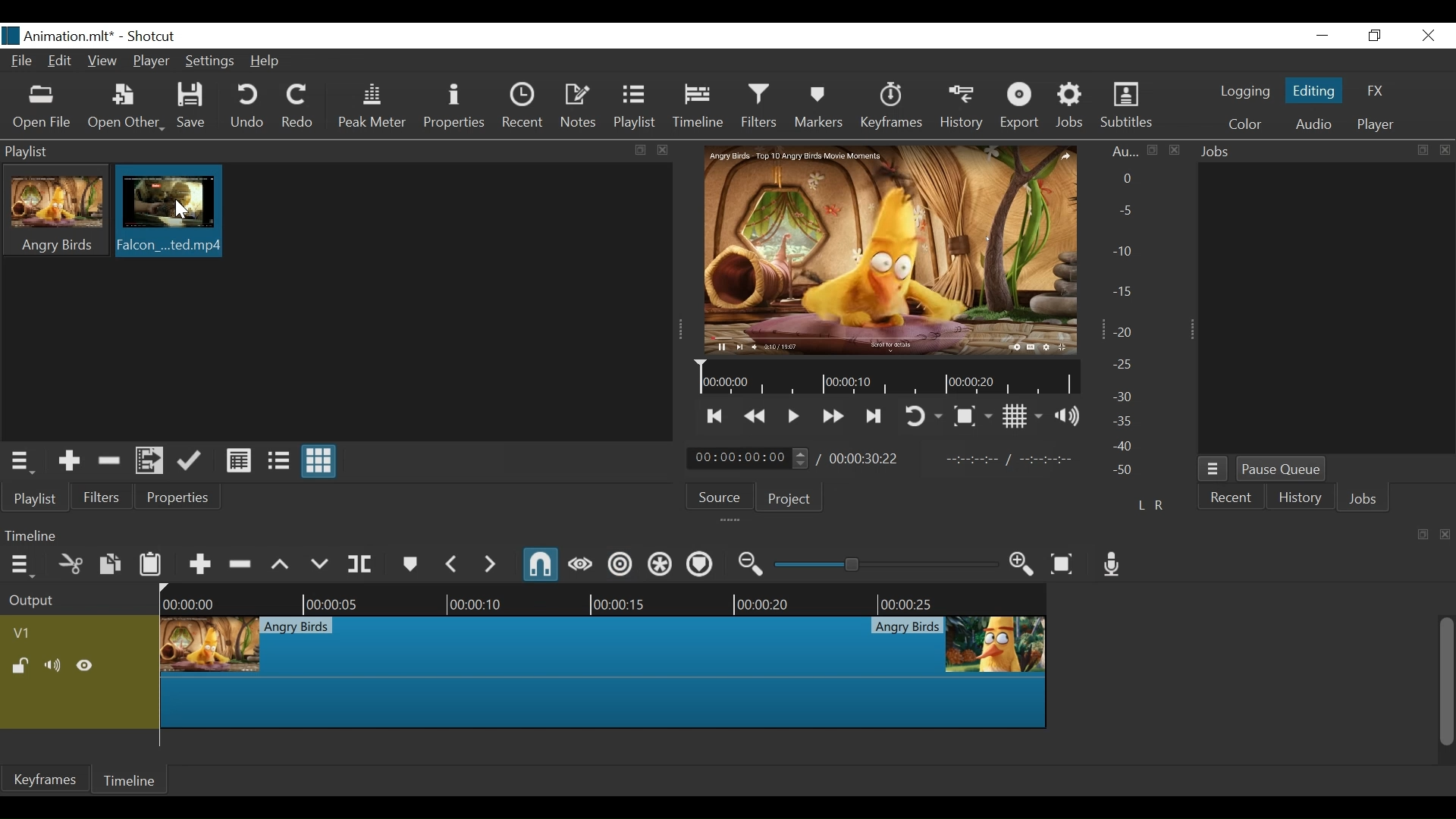 Image resolution: width=1456 pixels, height=819 pixels. I want to click on Keyframes, so click(891, 108).